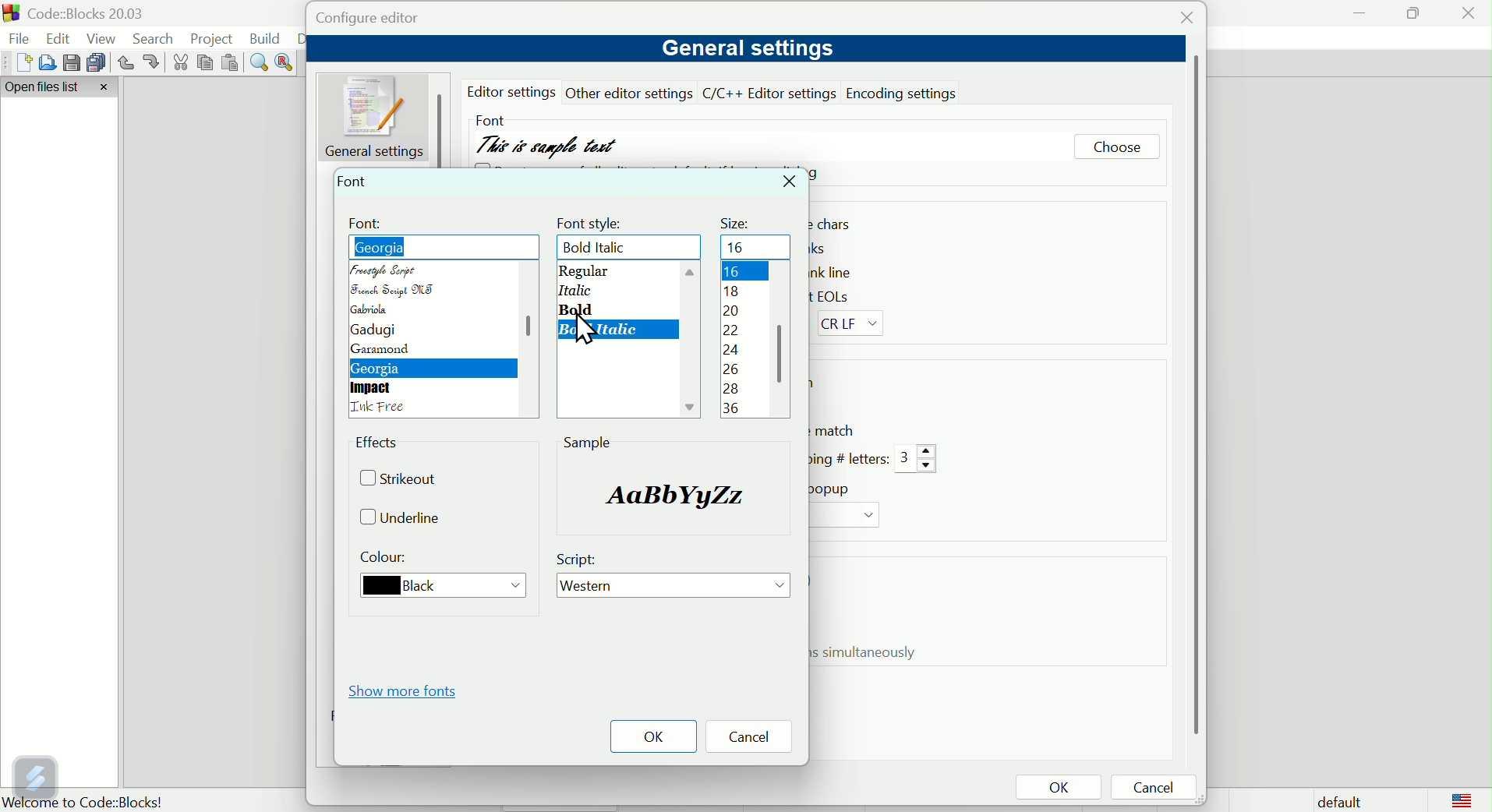  Describe the element at coordinates (675, 588) in the screenshot. I see `Western` at that location.